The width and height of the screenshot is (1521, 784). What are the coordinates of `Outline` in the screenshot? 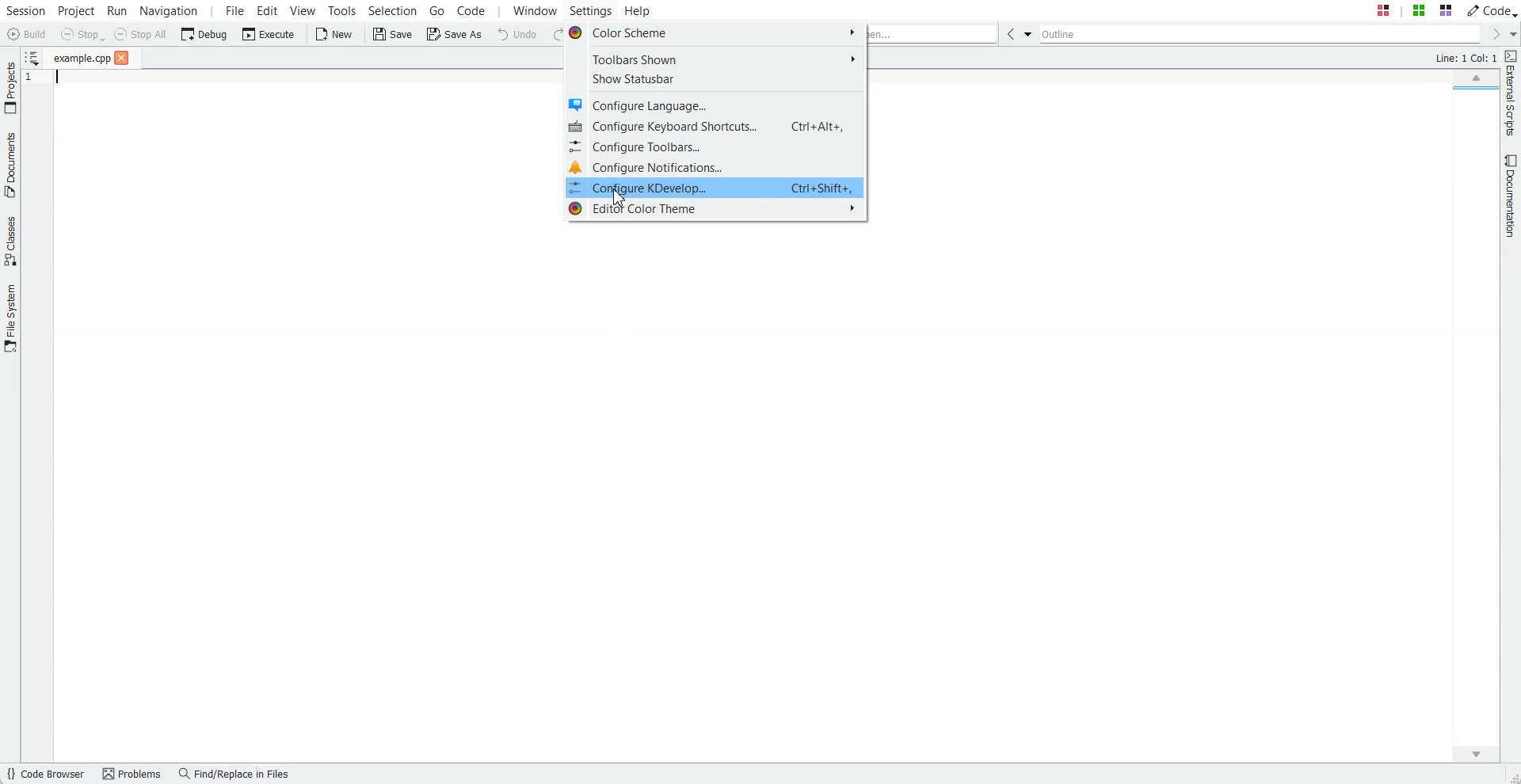 It's located at (1258, 34).